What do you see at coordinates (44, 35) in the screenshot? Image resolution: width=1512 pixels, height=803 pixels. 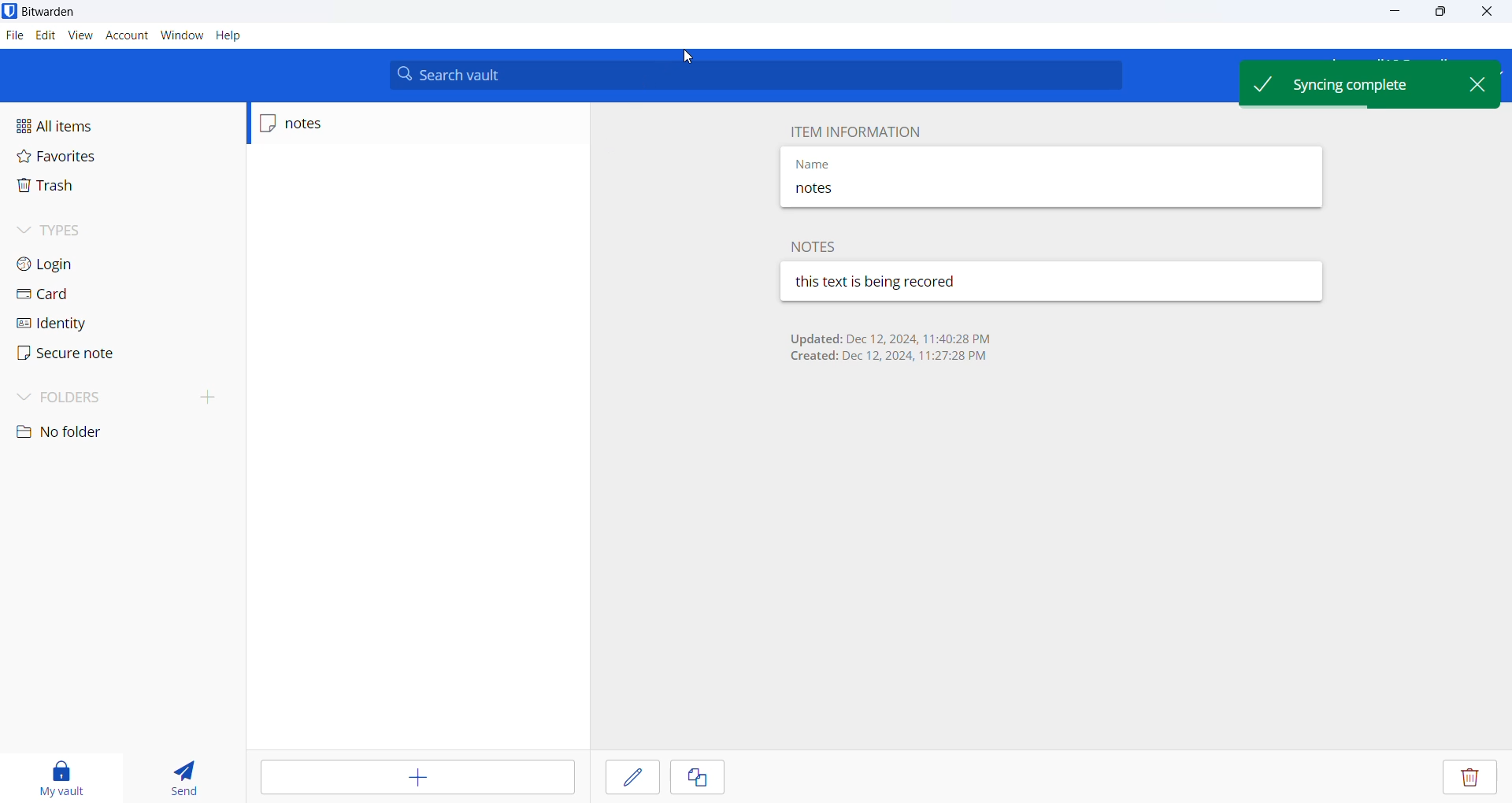 I see `edit` at bounding box center [44, 35].